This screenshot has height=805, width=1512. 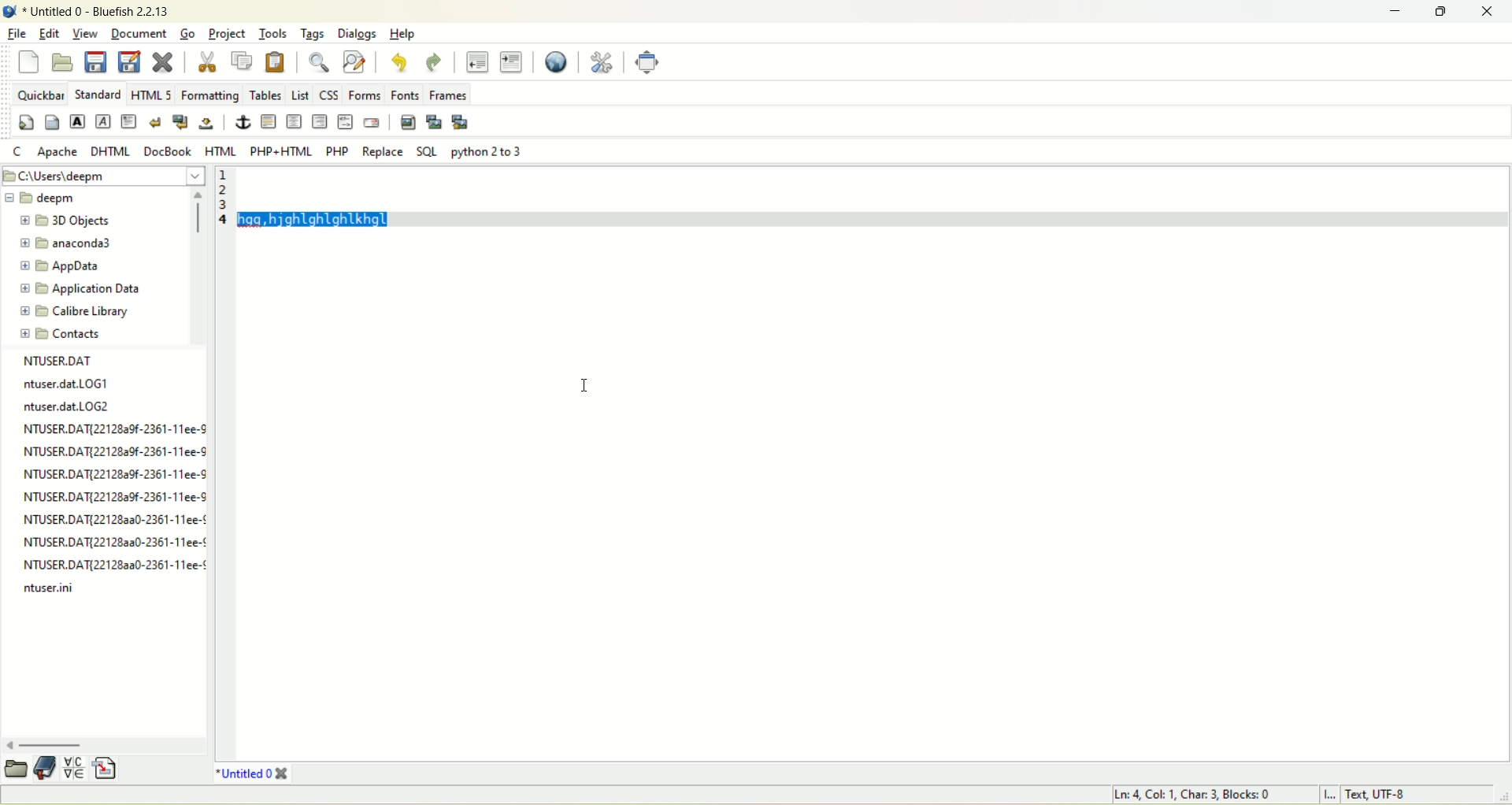 What do you see at coordinates (221, 151) in the screenshot?
I see `HTML` at bounding box center [221, 151].